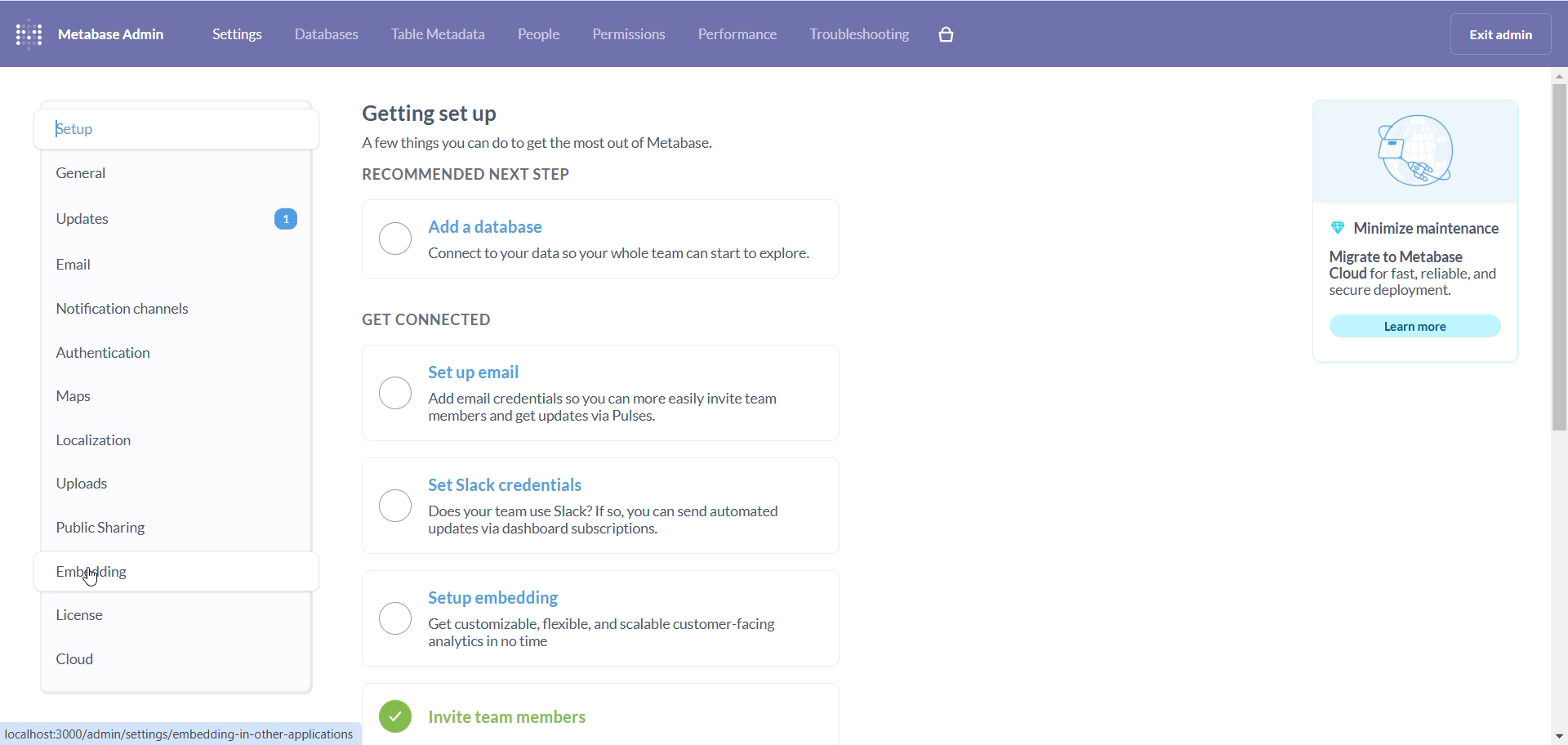  Describe the element at coordinates (587, 619) in the screenshot. I see `~~. Setup embedding
|) Getcustomizable, flexible, and scalable customer-facing
analytics inno time` at that location.